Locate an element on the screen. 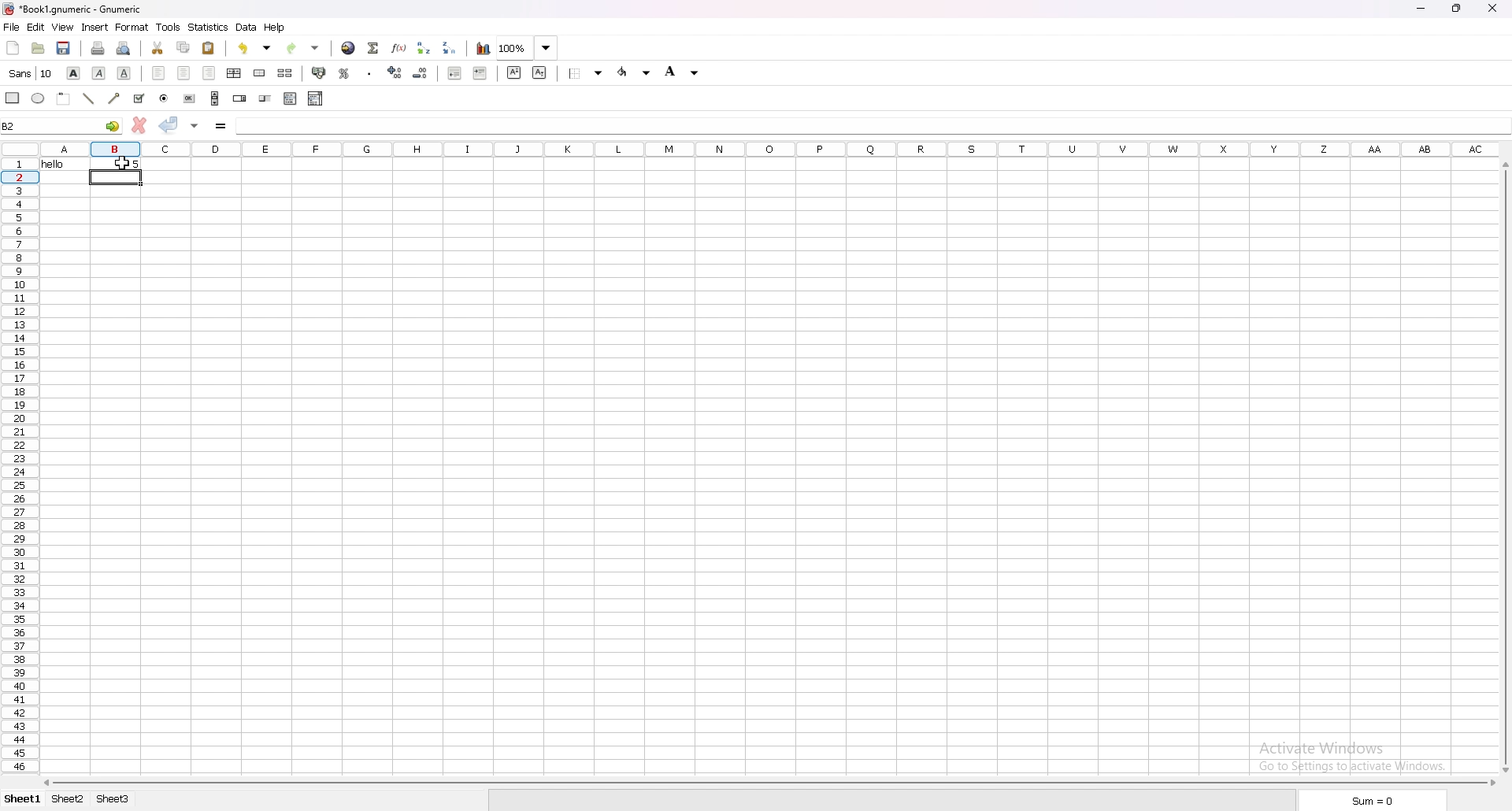  cut is located at coordinates (157, 48).